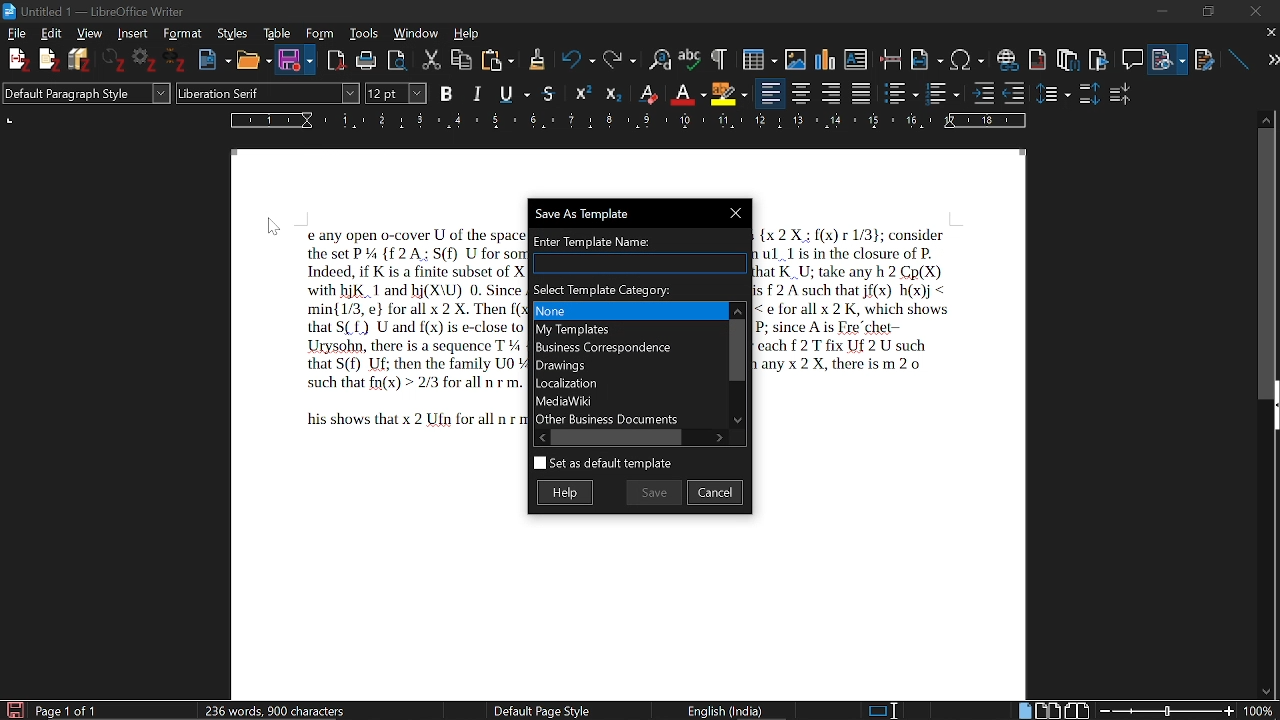 This screenshot has width=1280, height=720. What do you see at coordinates (19, 34) in the screenshot?
I see `File` at bounding box center [19, 34].